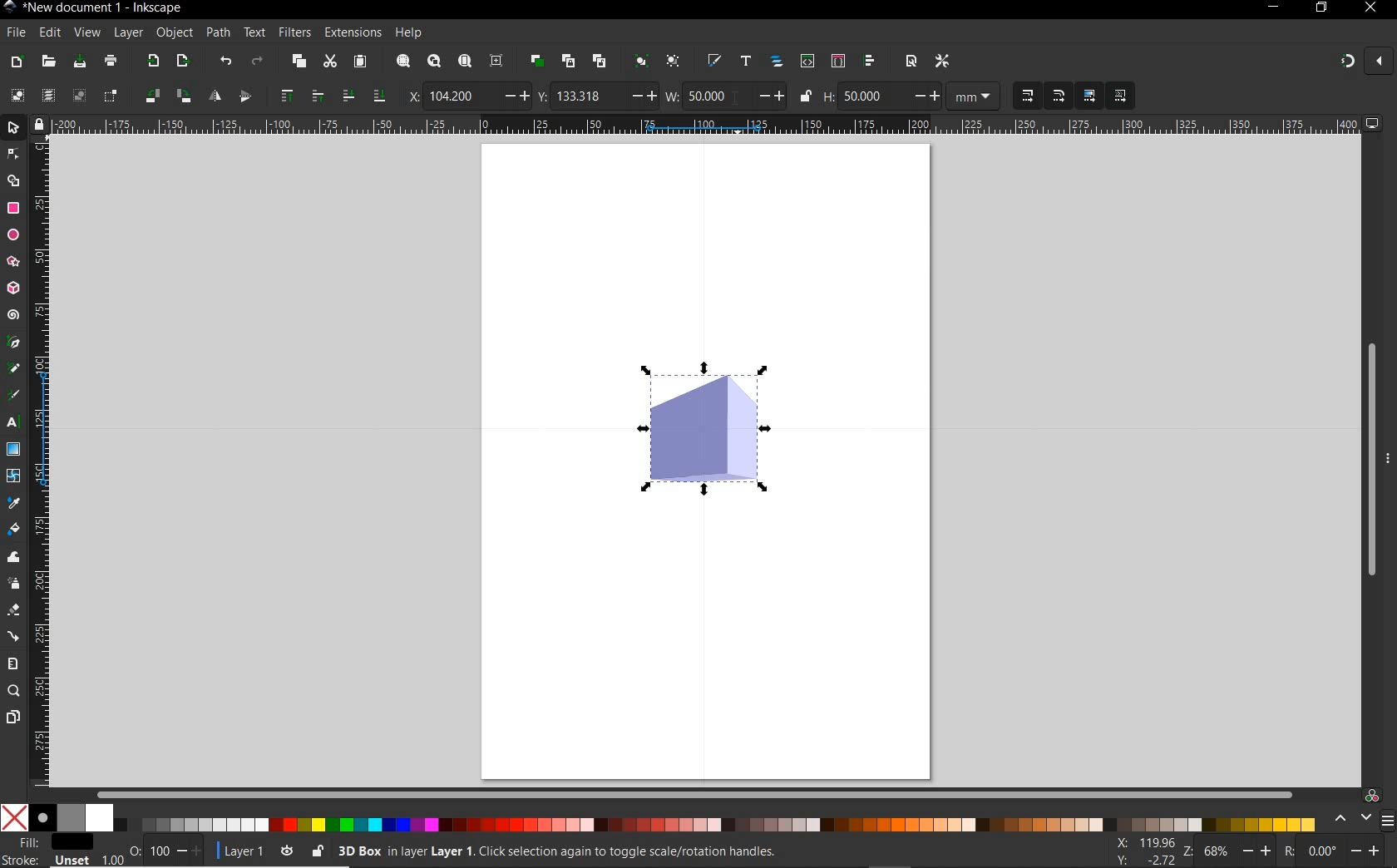 The image size is (1397, 868). I want to click on connector tool, so click(15, 637).